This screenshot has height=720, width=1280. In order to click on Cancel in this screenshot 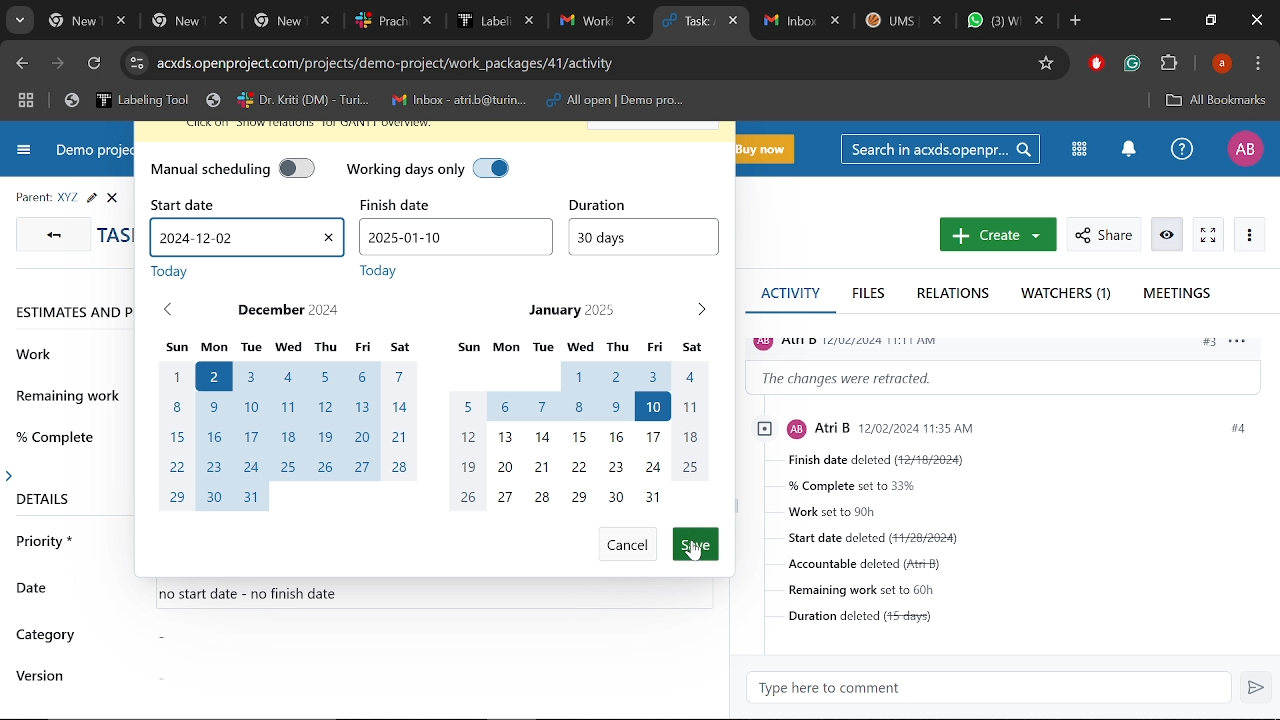, I will do `click(624, 543)`.